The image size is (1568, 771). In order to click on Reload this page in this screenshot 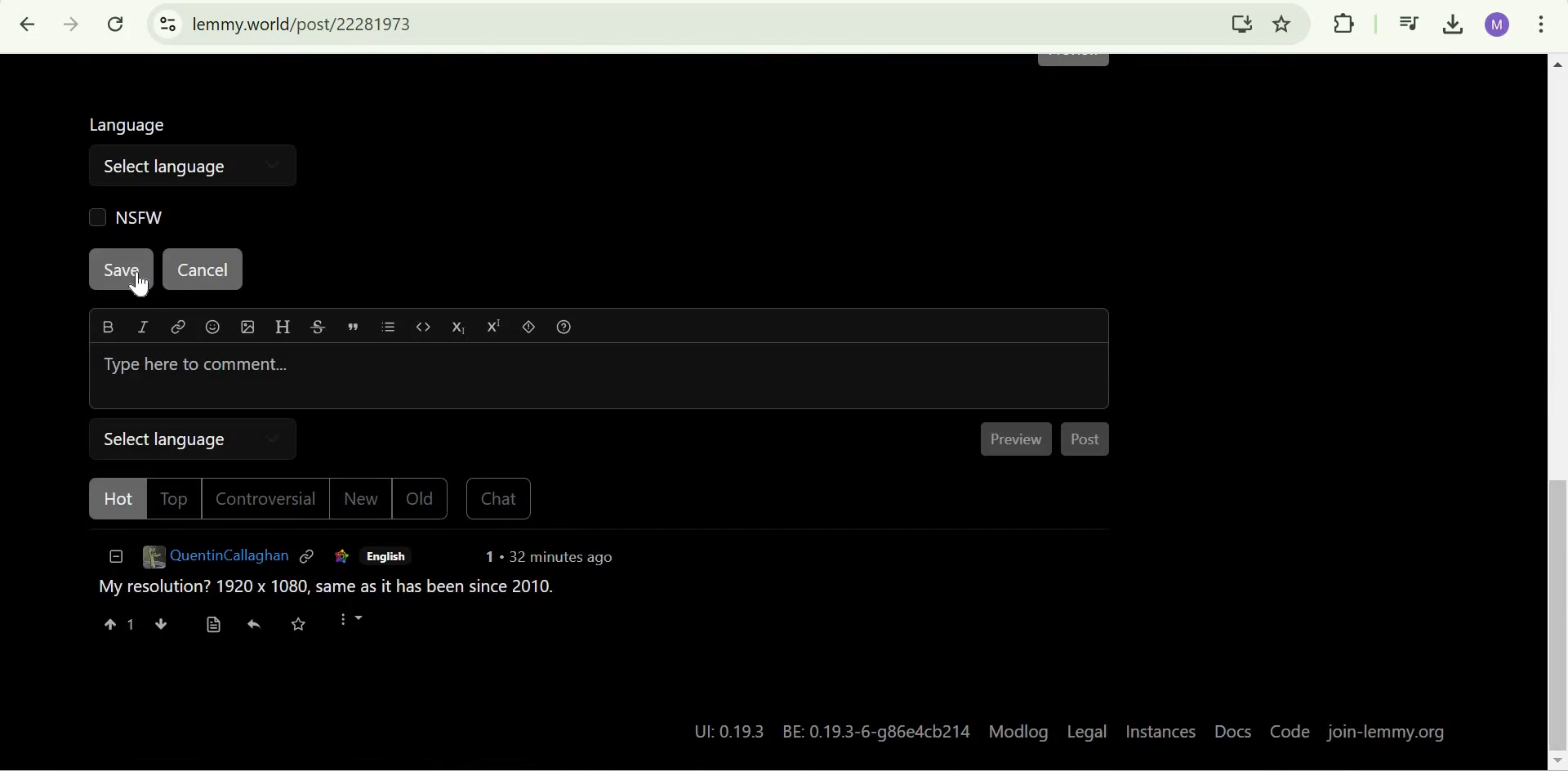, I will do `click(118, 24)`.